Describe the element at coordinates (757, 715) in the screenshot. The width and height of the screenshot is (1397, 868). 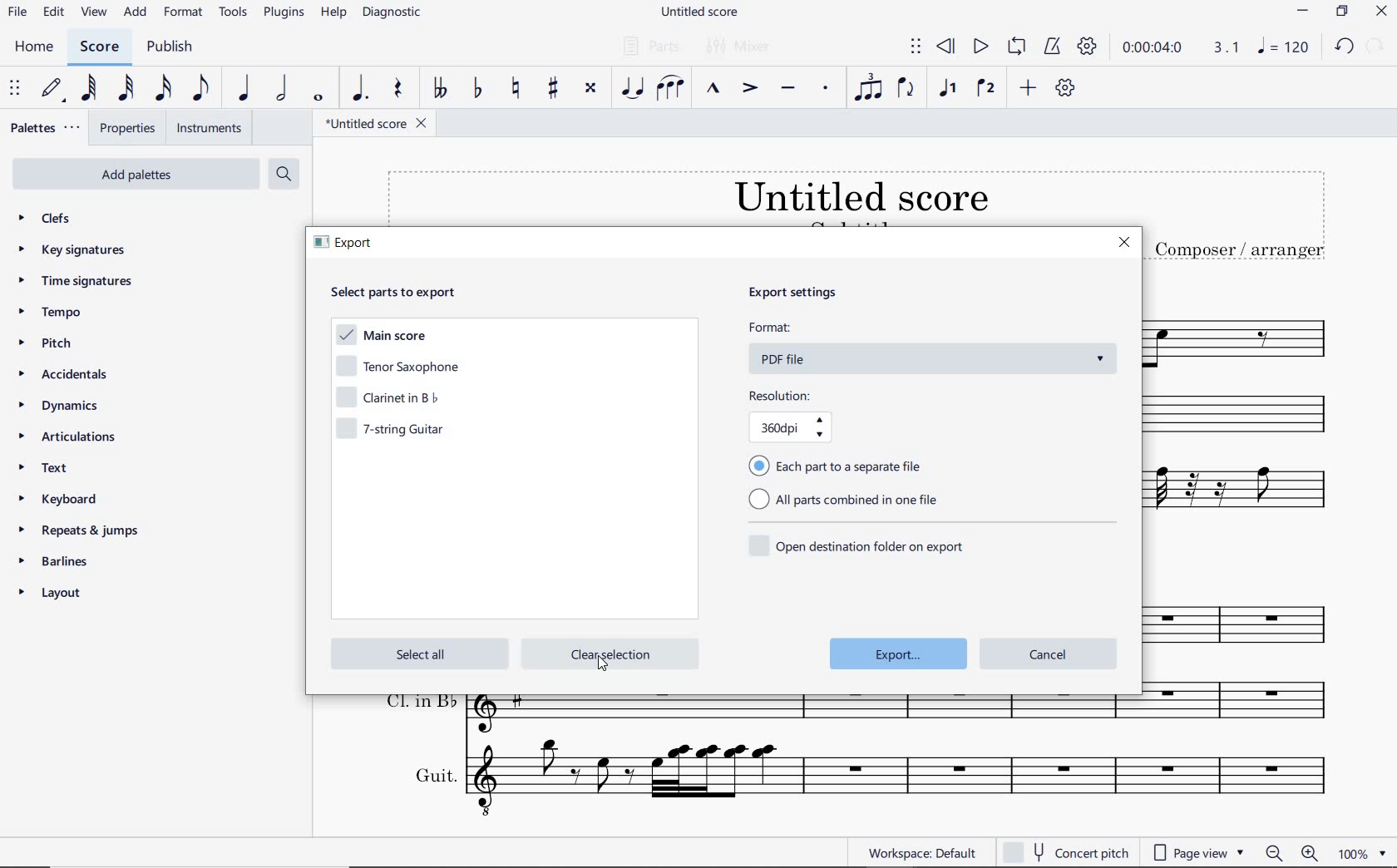
I see `Cl. in B` at that location.